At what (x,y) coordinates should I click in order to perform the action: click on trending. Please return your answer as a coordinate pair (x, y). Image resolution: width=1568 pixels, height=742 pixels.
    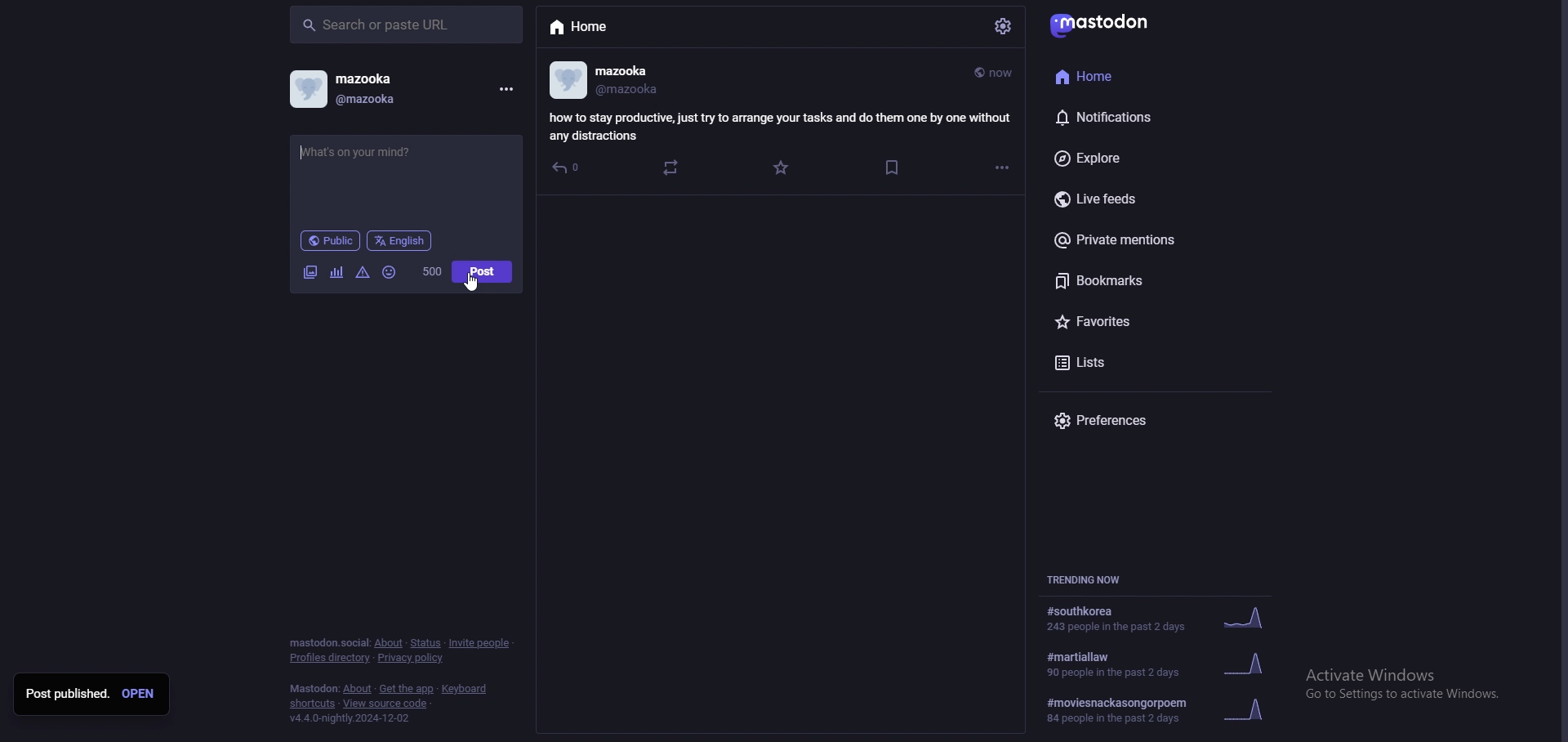
    Looking at the image, I should click on (1165, 617).